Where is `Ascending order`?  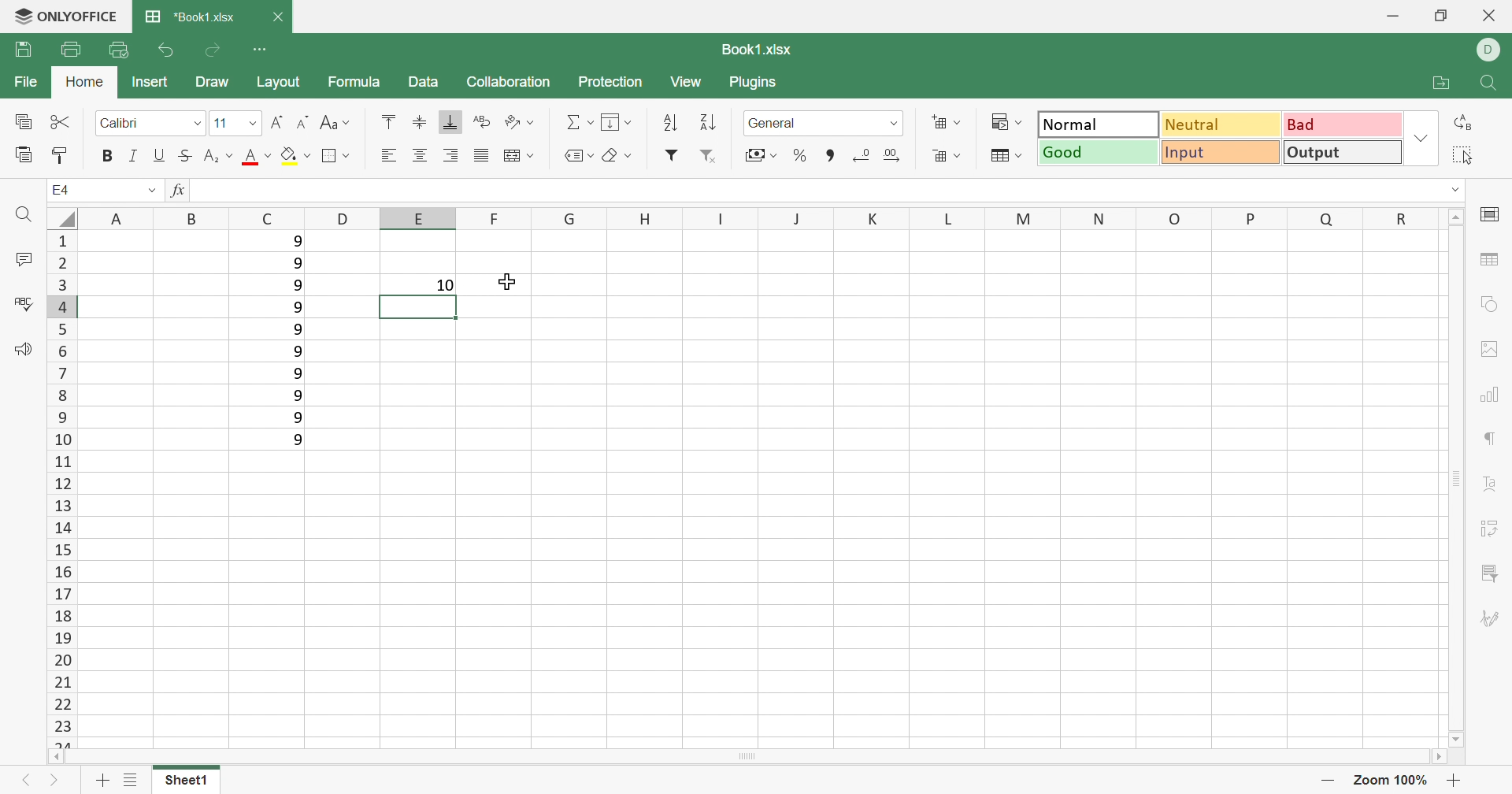
Ascending order is located at coordinates (670, 124).